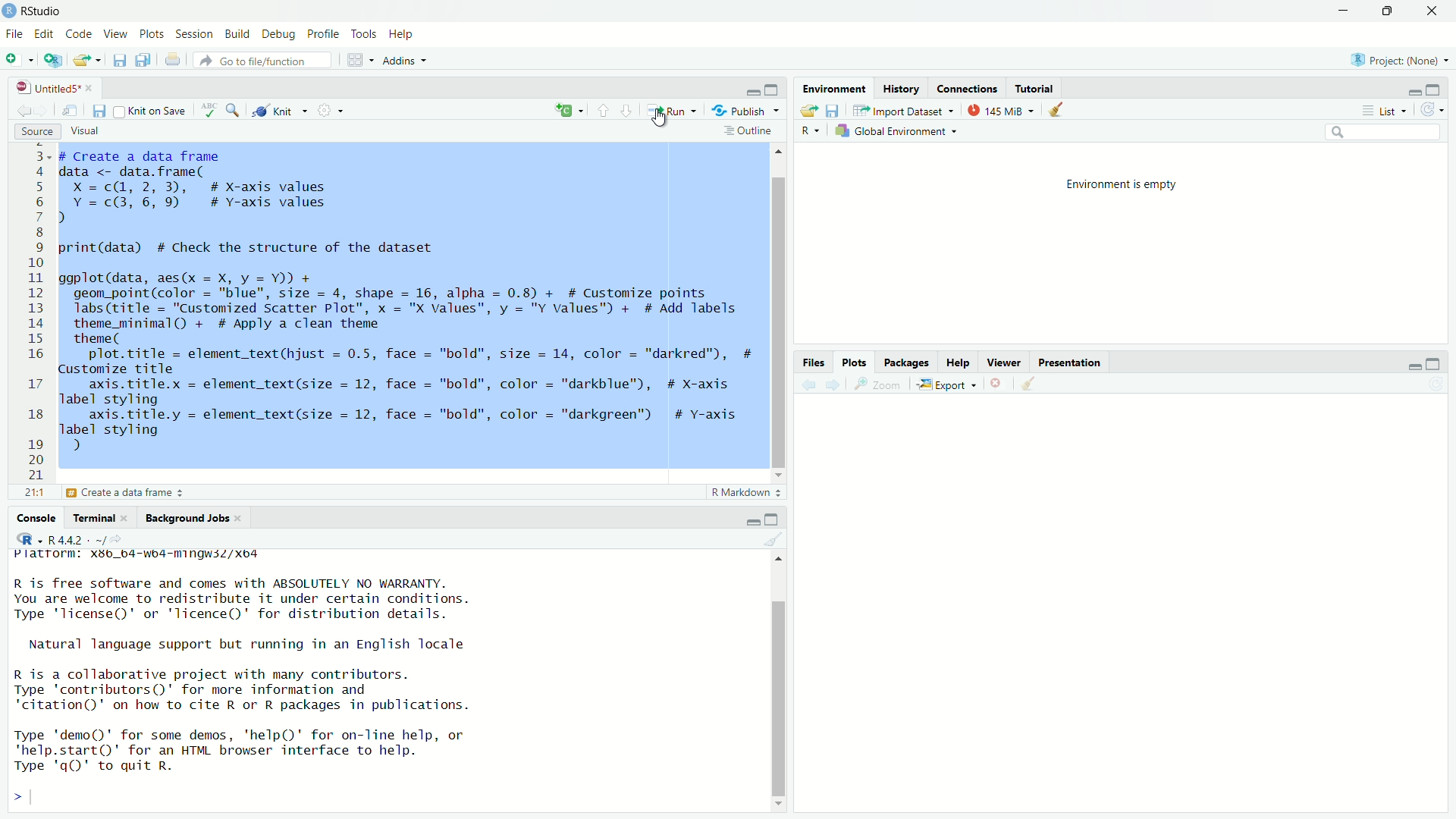 Image resolution: width=1456 pixels, height=819 pixels. I want to click on Connections, so click(968, 90).